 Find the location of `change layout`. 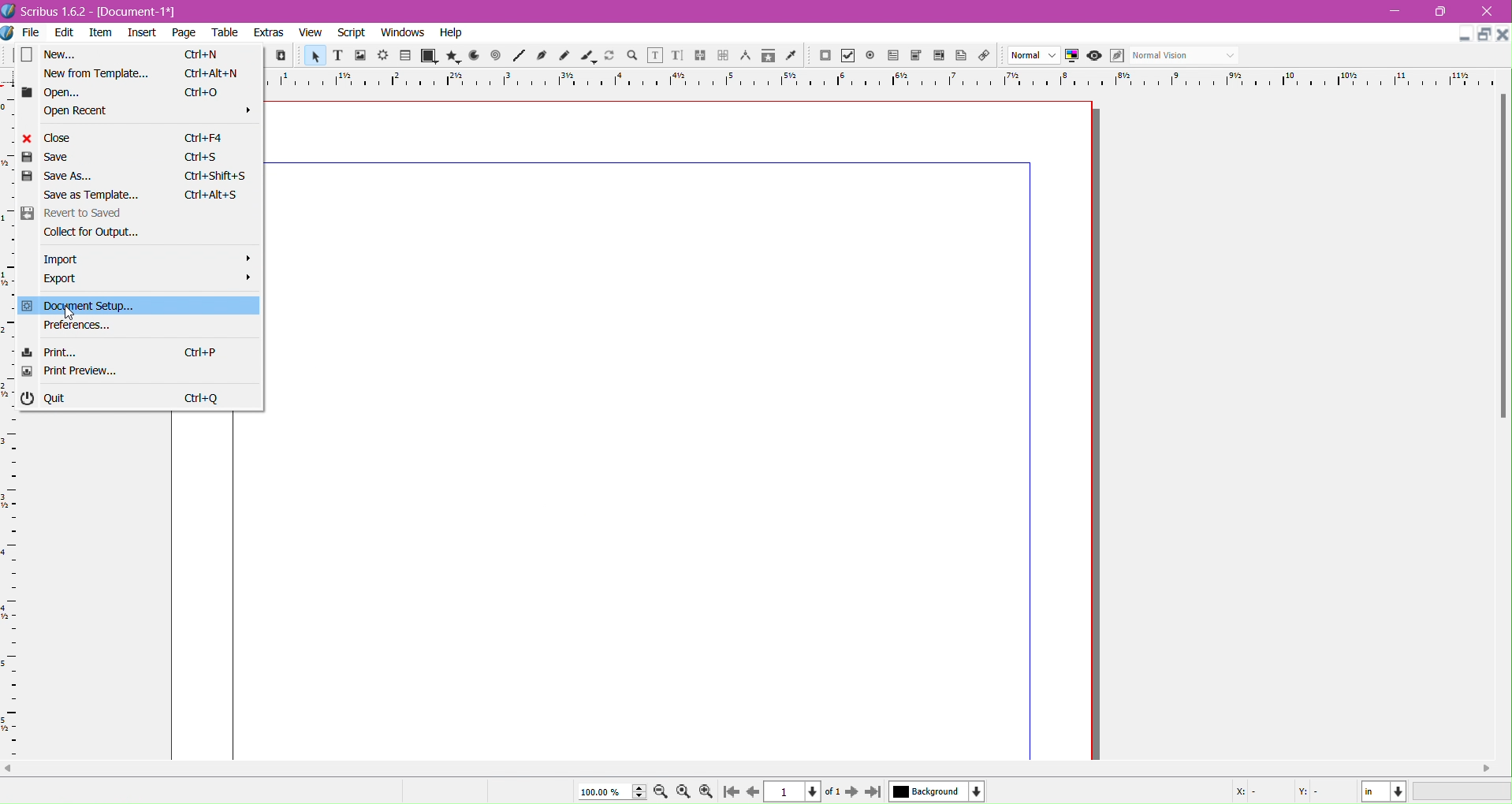

change layout is located at coordinates (1482, 35).